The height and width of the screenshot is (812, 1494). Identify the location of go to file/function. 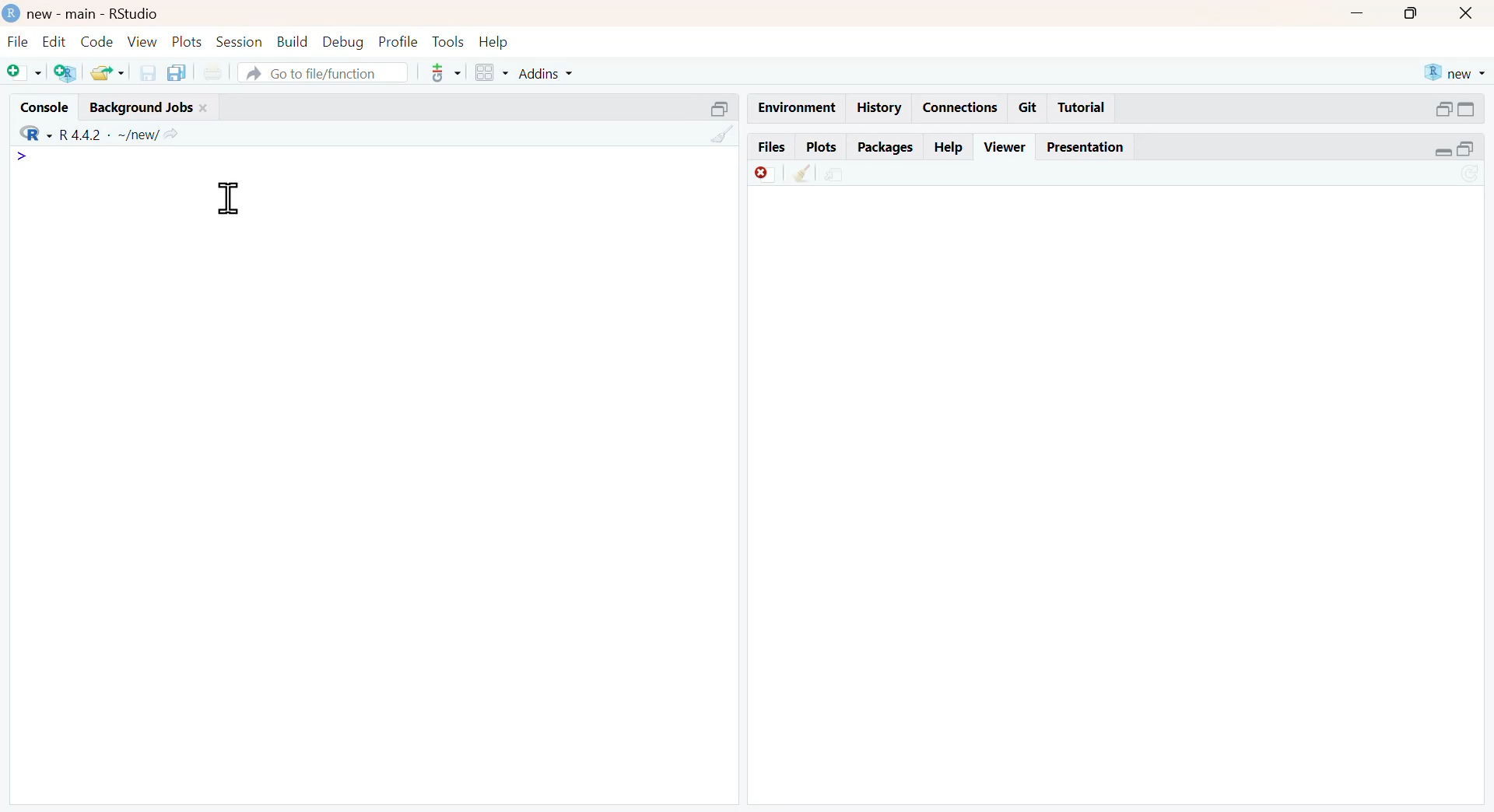
(324, 72).